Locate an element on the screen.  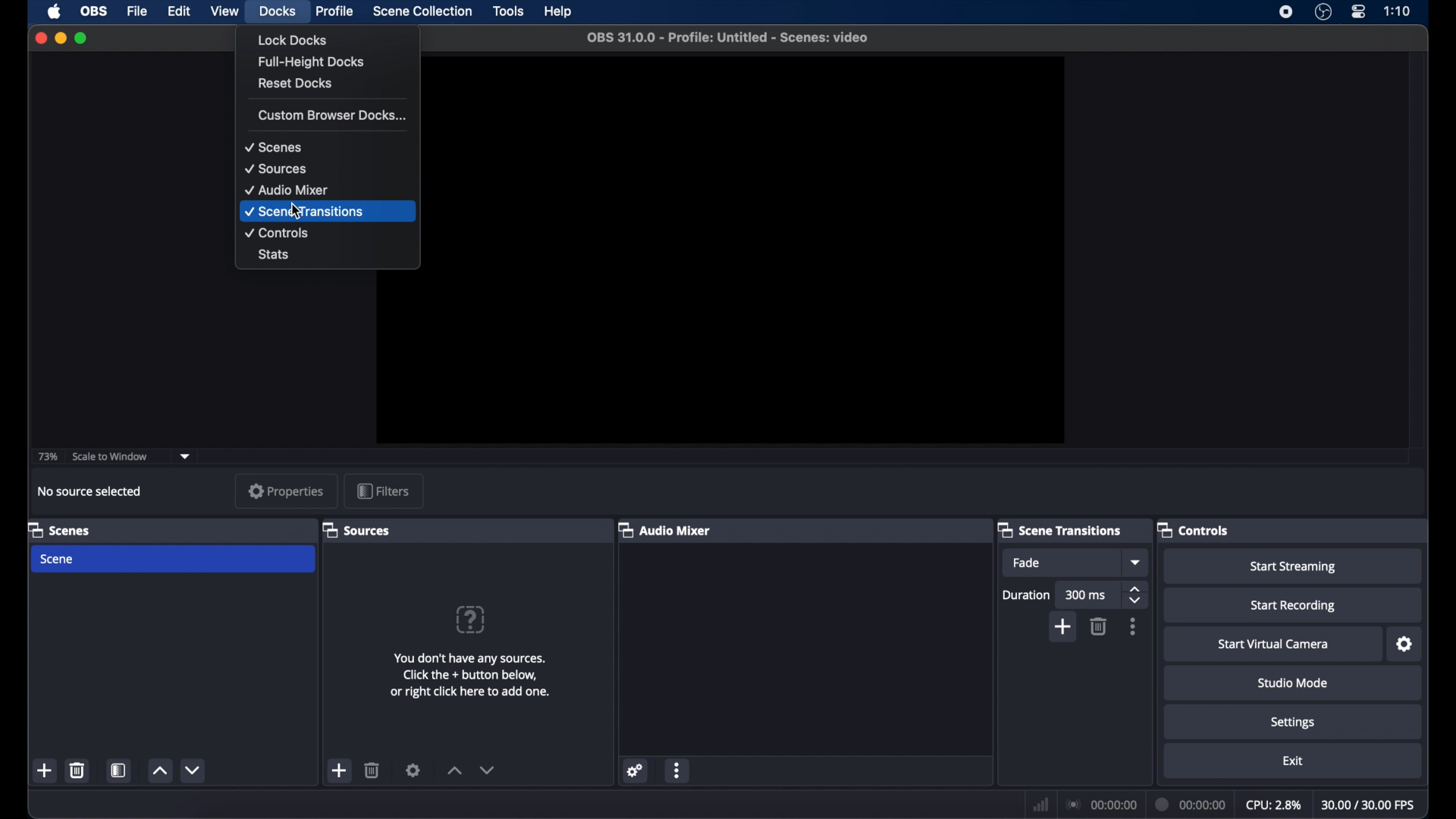
more options is located at coordinates (1134, 626).